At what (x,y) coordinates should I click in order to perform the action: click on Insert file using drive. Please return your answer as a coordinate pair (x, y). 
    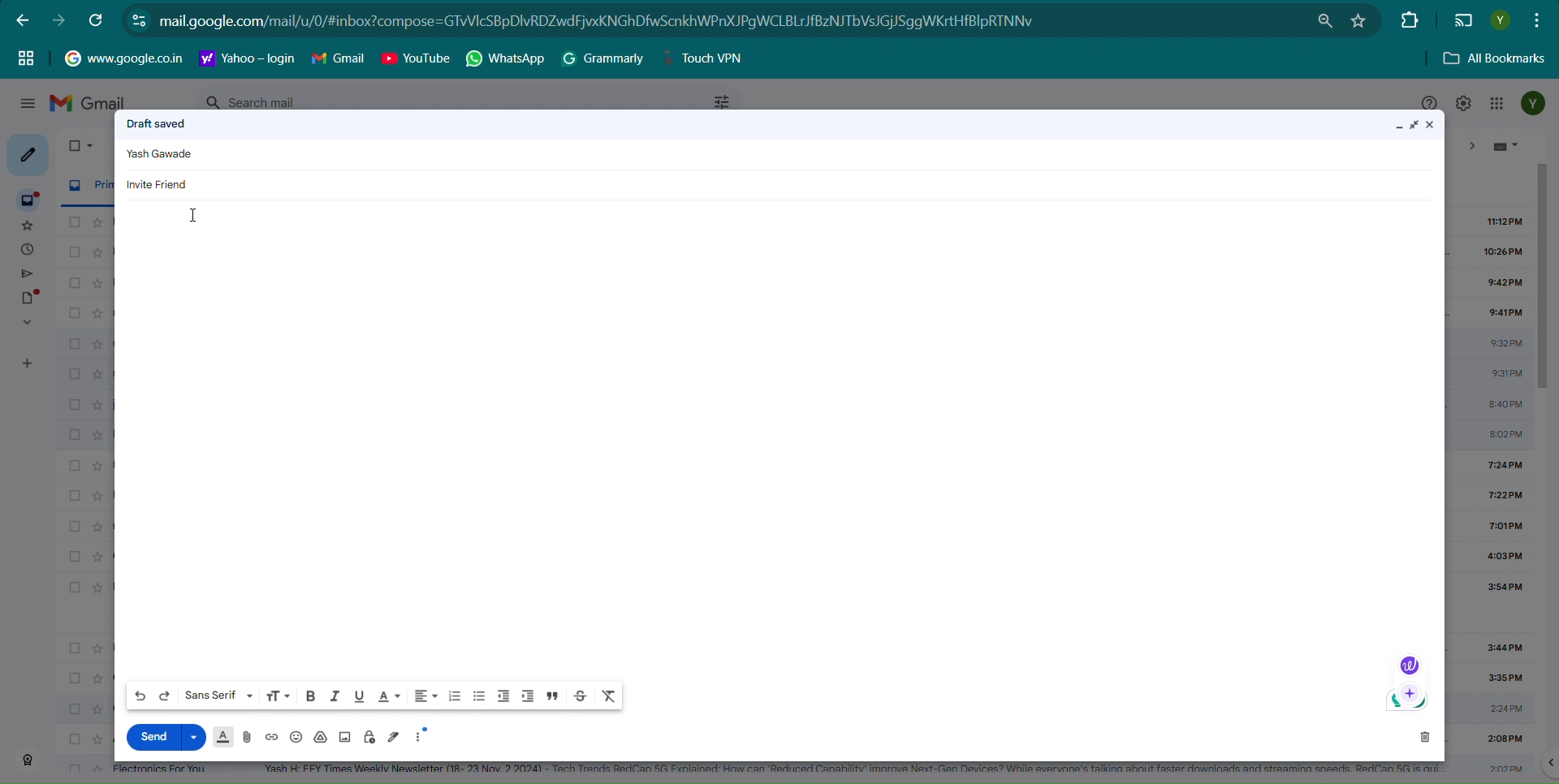
    Looking at the image, I should click on (322, 737).